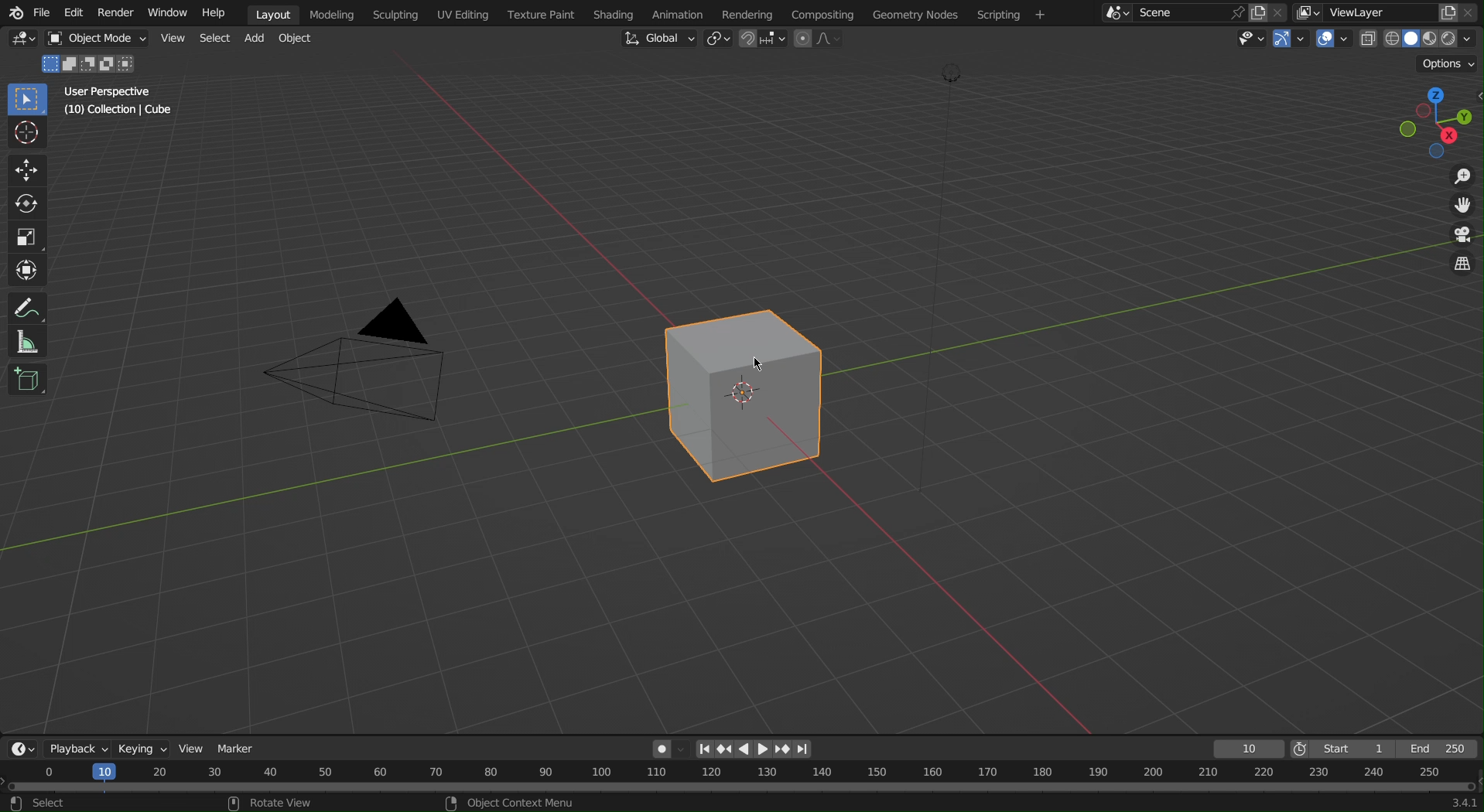 The width and height of the screenshot is (1484, 812). Describe the element at coordinates (393, 13) in the screenshot. I see `Sculpting` at that location.